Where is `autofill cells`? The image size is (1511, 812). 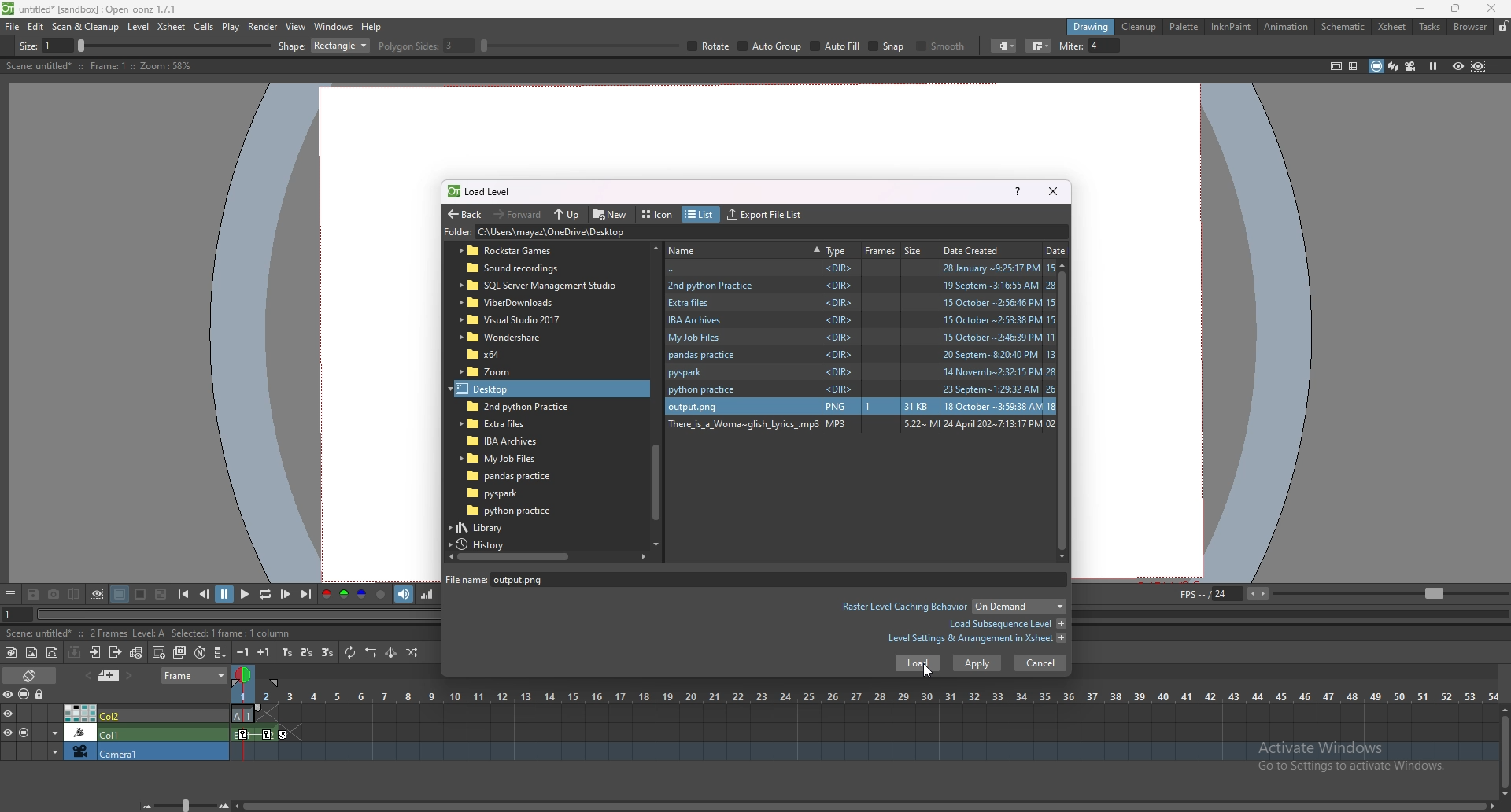
autofill cells is located at coordinates (220, 652).